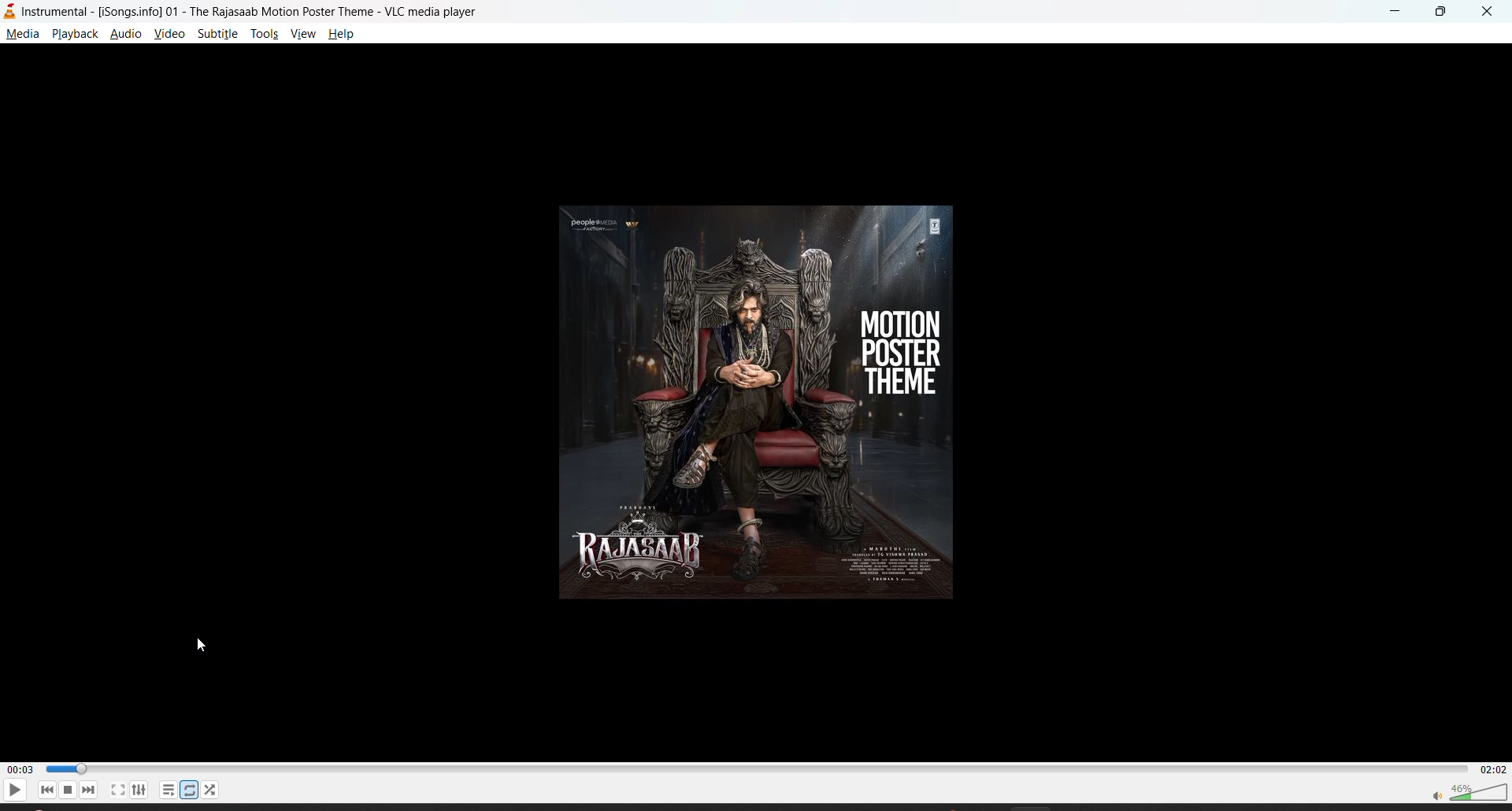  Describe the element at coordinates (211, 791) in the screenshot. I see `random` at that location.